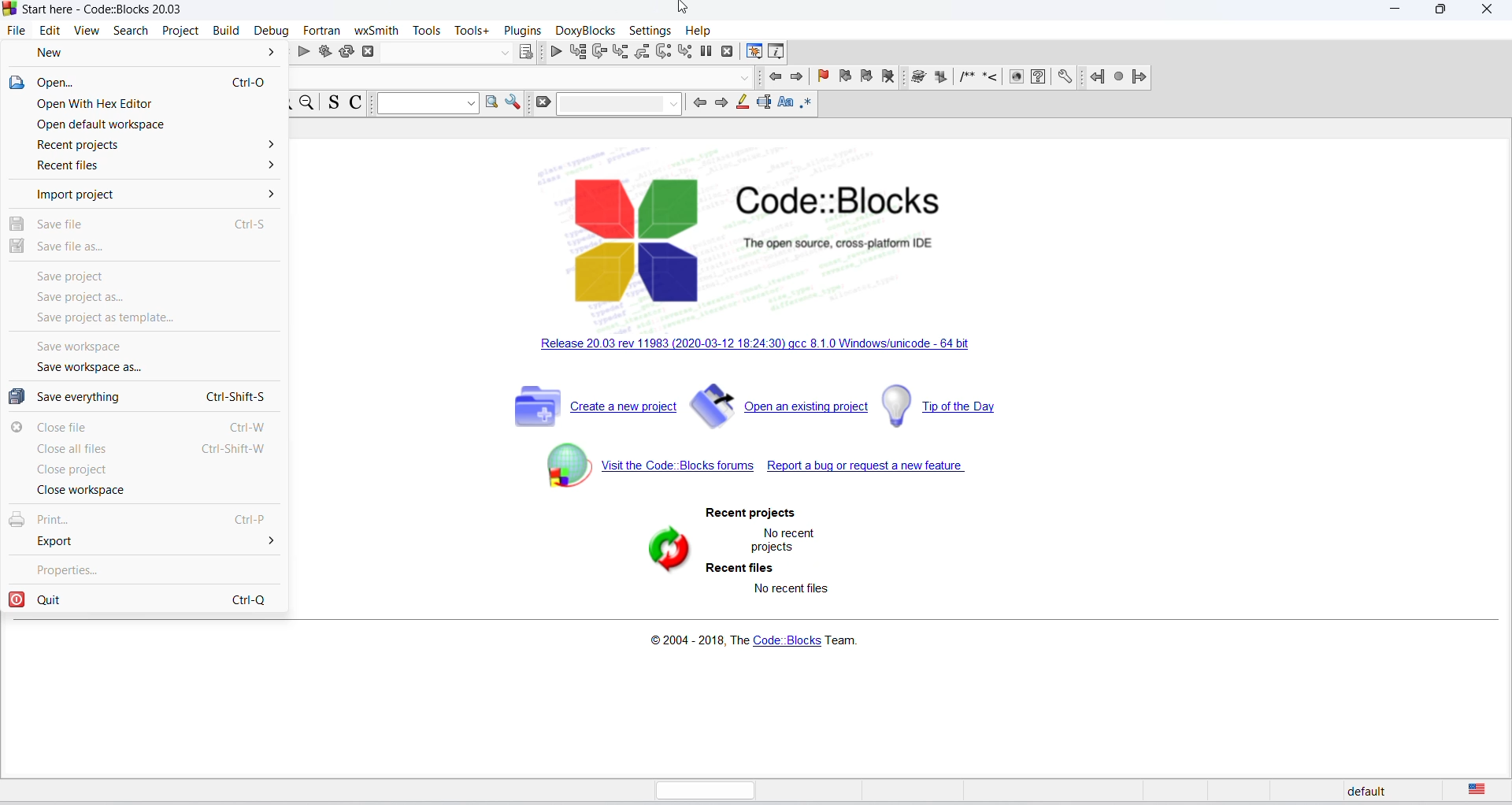  What do you see at coordinates (1488, 12) in the screenshot?
I see `close` at bounding box center [1488, 12].